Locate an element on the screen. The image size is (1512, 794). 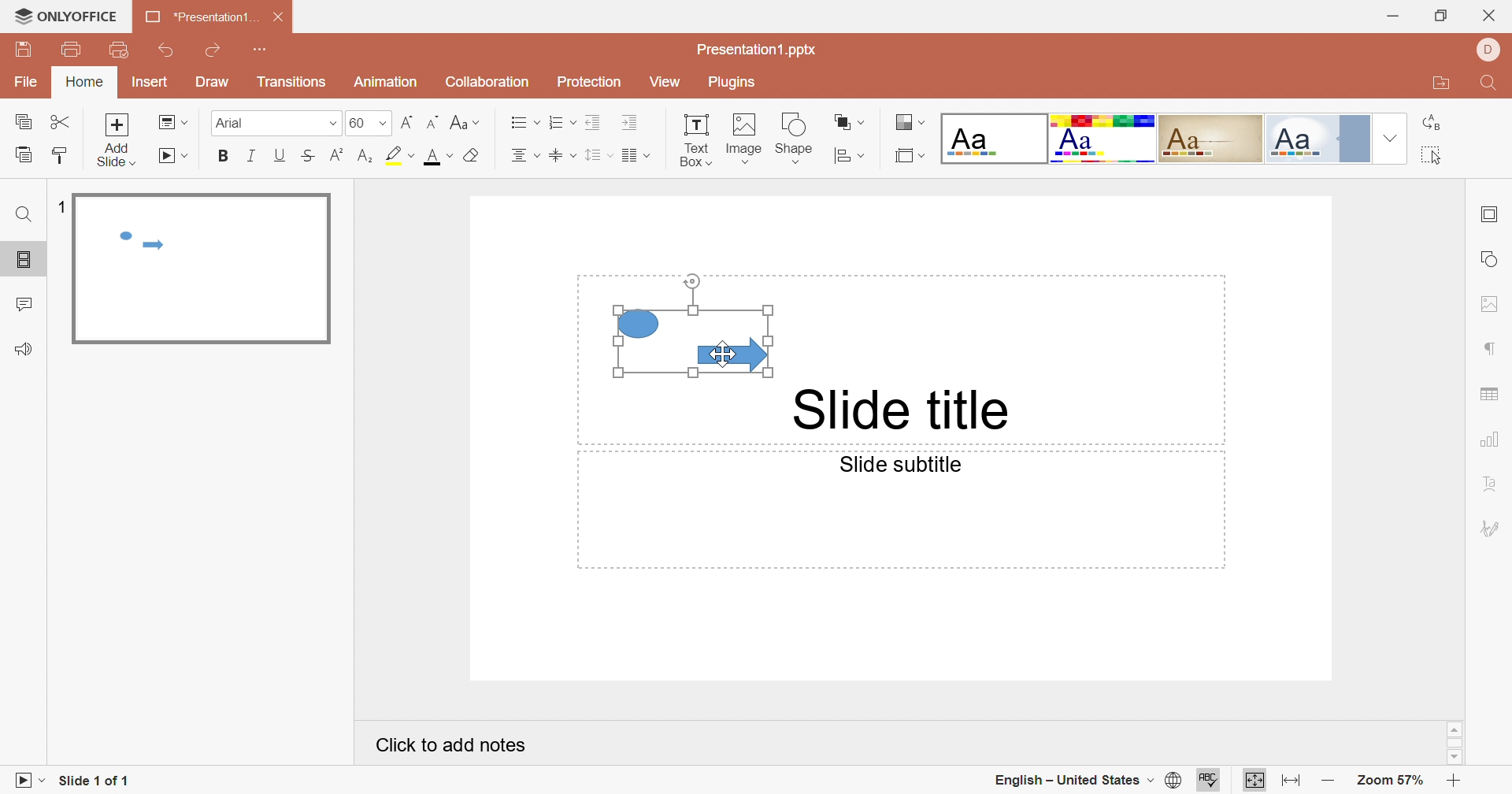
Align shape is located at coordinates (847, 158).